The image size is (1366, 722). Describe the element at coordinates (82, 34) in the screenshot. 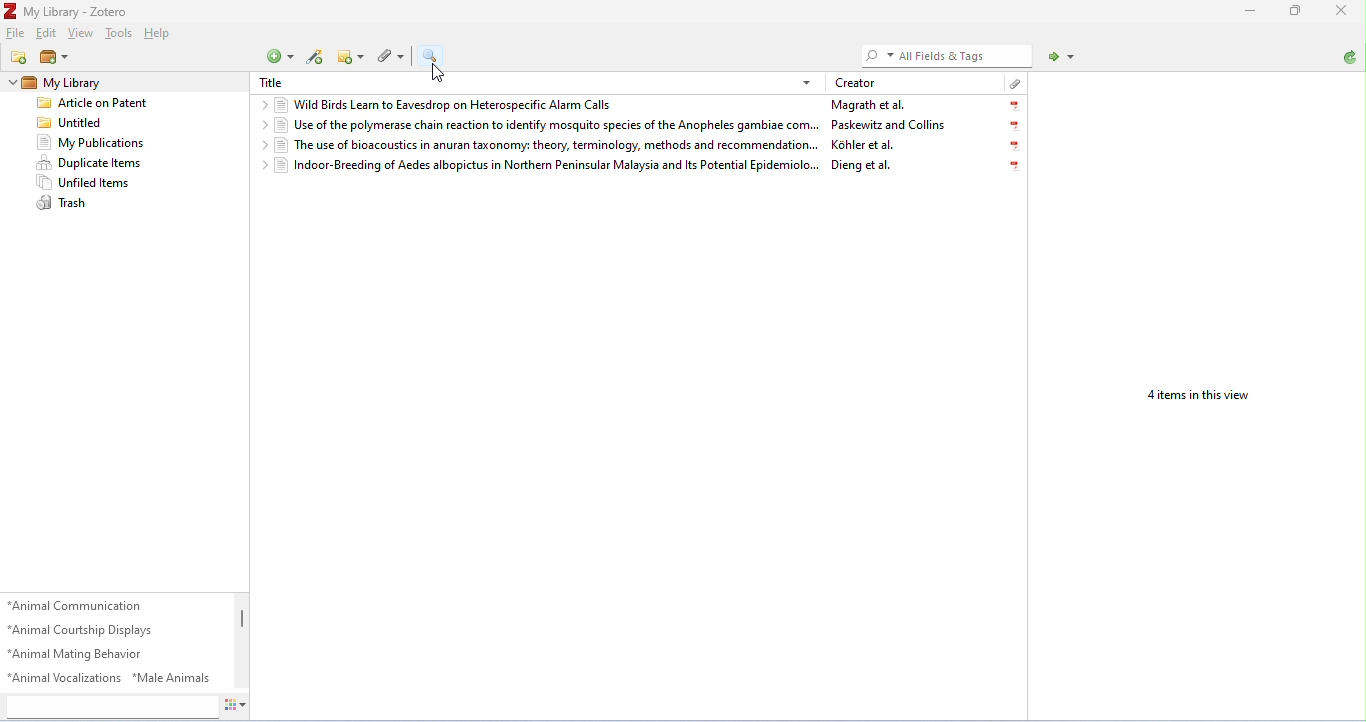

I see `view` at that location.